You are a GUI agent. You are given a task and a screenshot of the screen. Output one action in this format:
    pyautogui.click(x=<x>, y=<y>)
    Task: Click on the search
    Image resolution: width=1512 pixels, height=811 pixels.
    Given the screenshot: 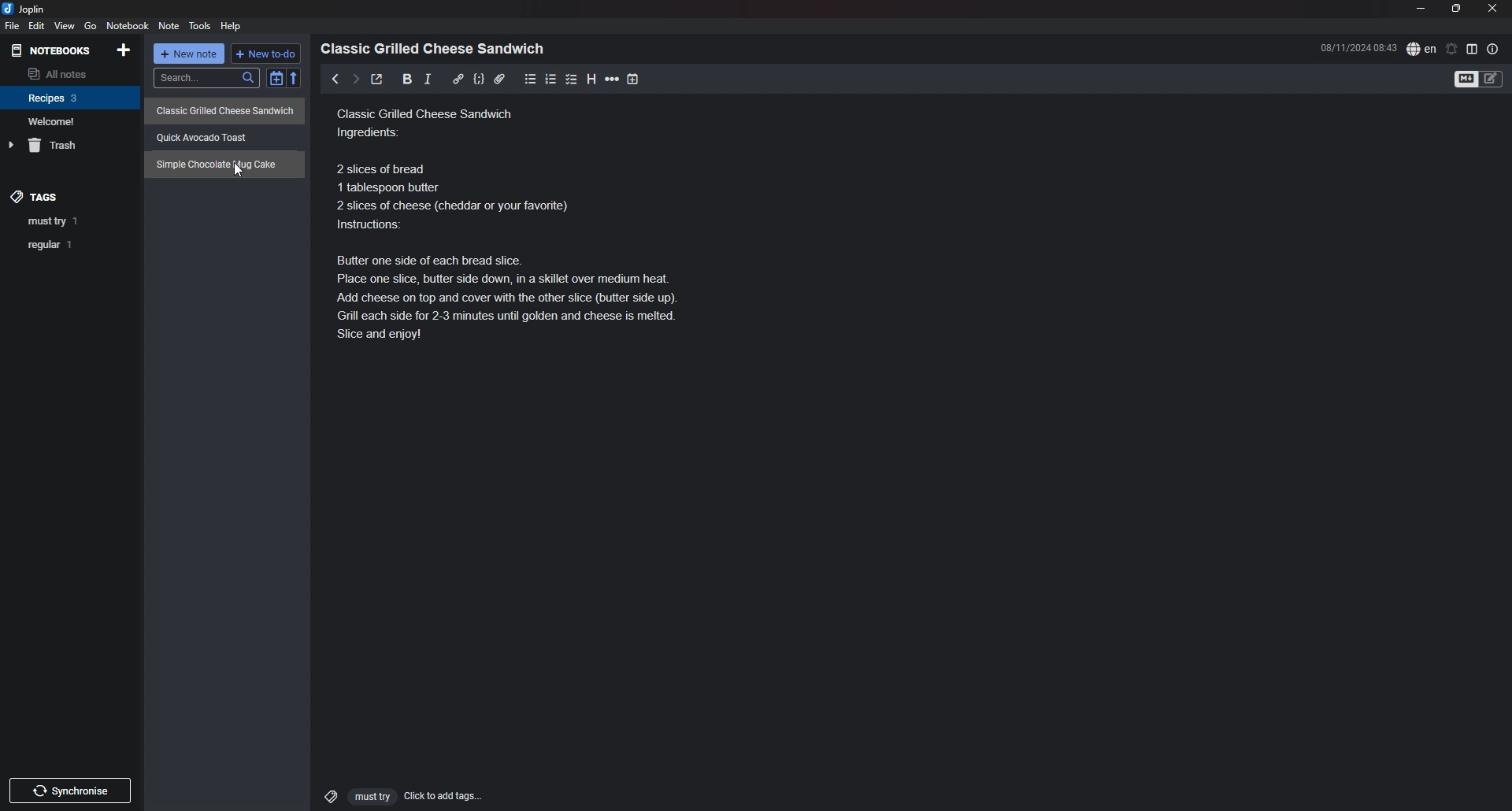 What is the action you would take?
    pyautogui.click(x=206, y=78)
    